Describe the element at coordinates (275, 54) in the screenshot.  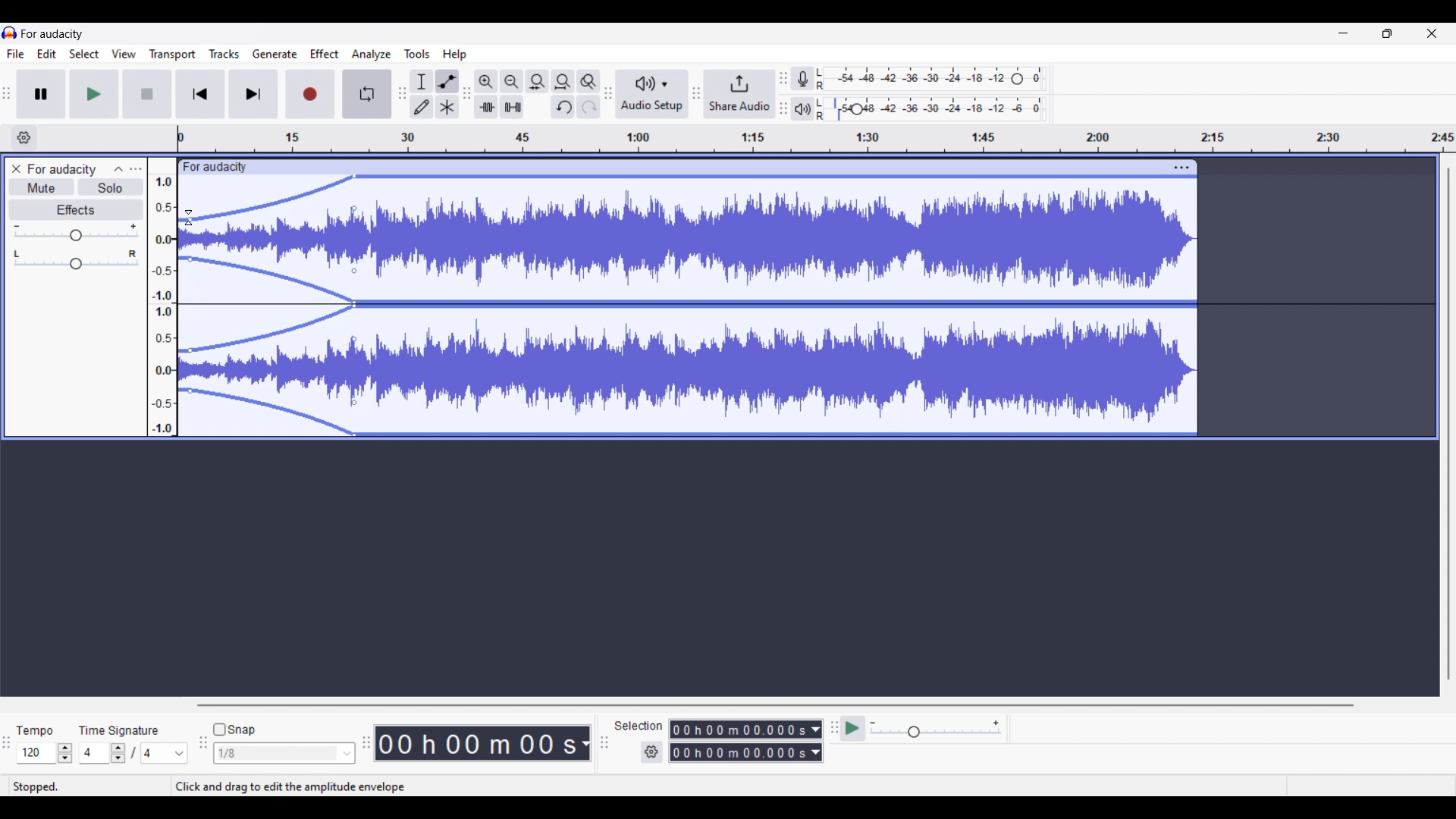
I see `Generate` at that location.